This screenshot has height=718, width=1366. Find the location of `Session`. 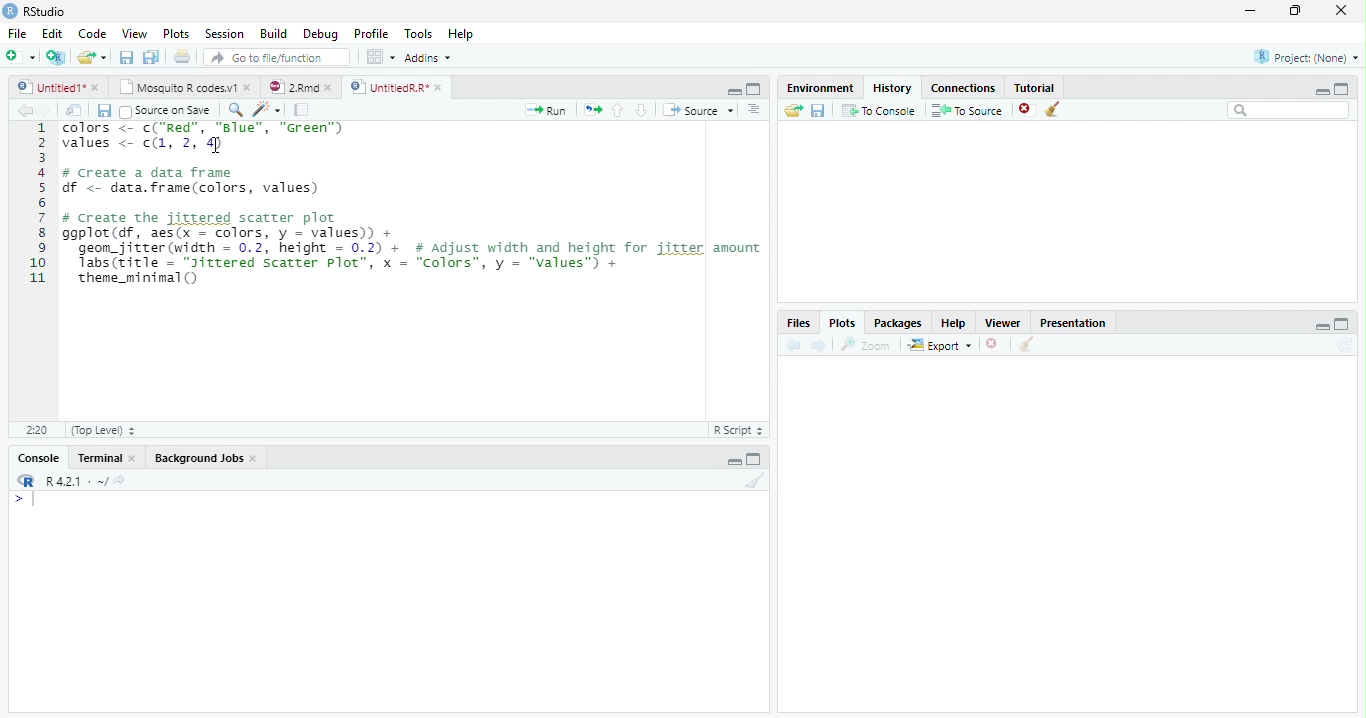

Session is located at coordinates (224, 33).